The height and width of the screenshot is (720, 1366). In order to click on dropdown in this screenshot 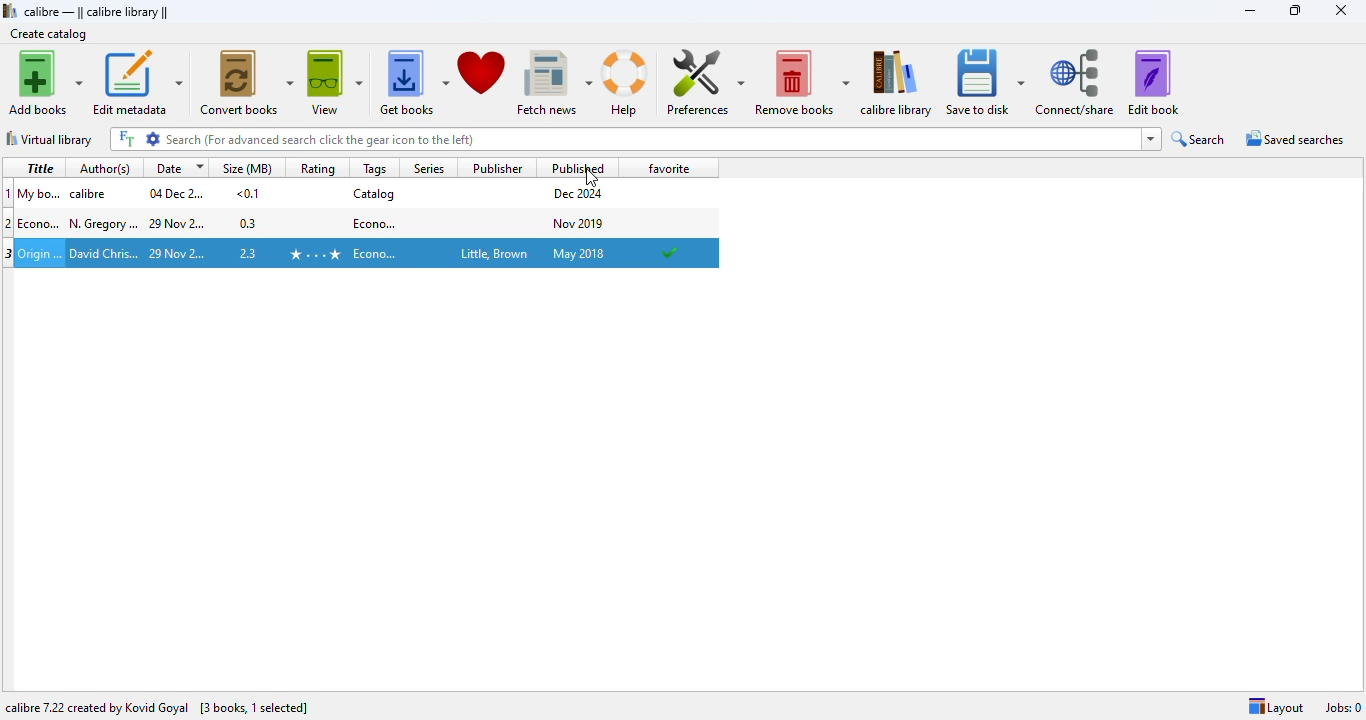, I will do `click(1152, 138)`.